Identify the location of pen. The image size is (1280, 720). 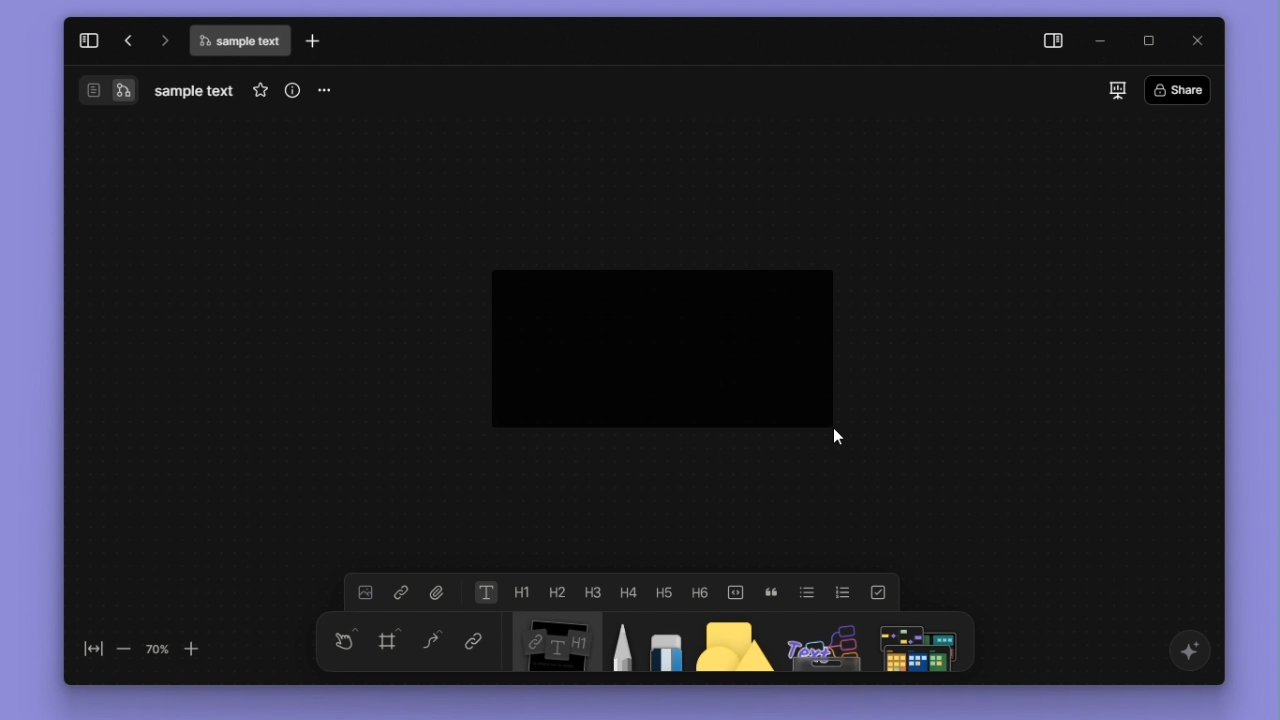
(618, 644).